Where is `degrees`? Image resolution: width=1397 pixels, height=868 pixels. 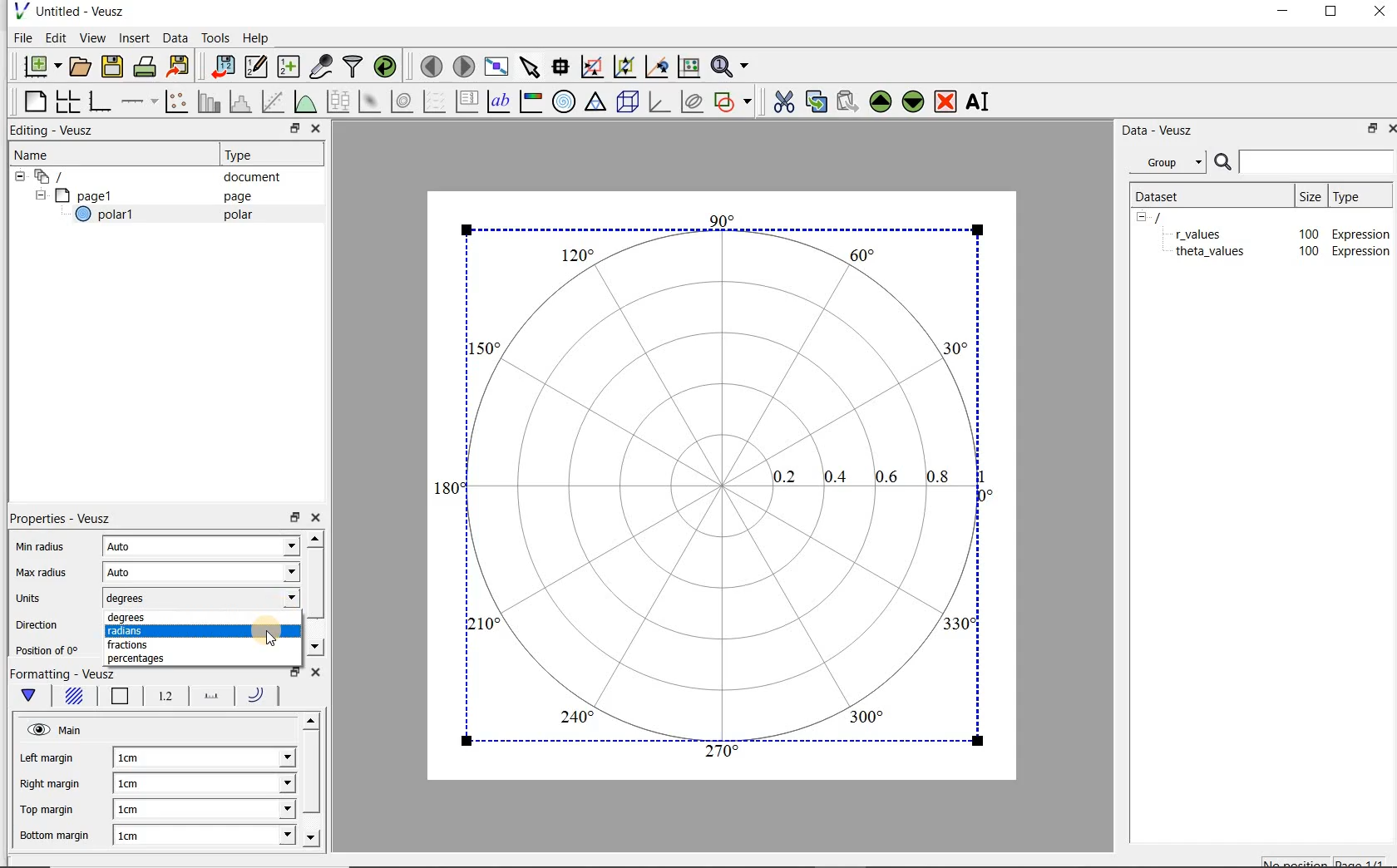
degrees is located at coordinates (143, 596).